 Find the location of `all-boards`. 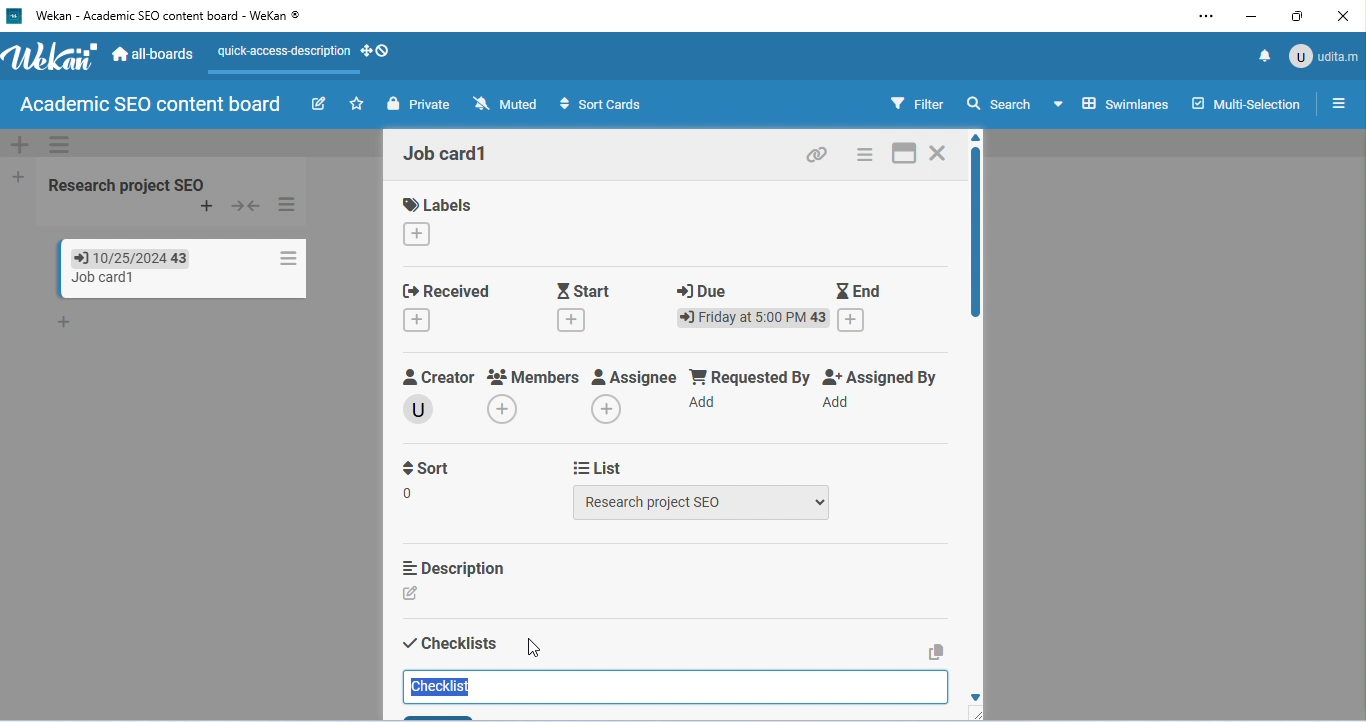

all-boards is located at coordinates (153, 53).